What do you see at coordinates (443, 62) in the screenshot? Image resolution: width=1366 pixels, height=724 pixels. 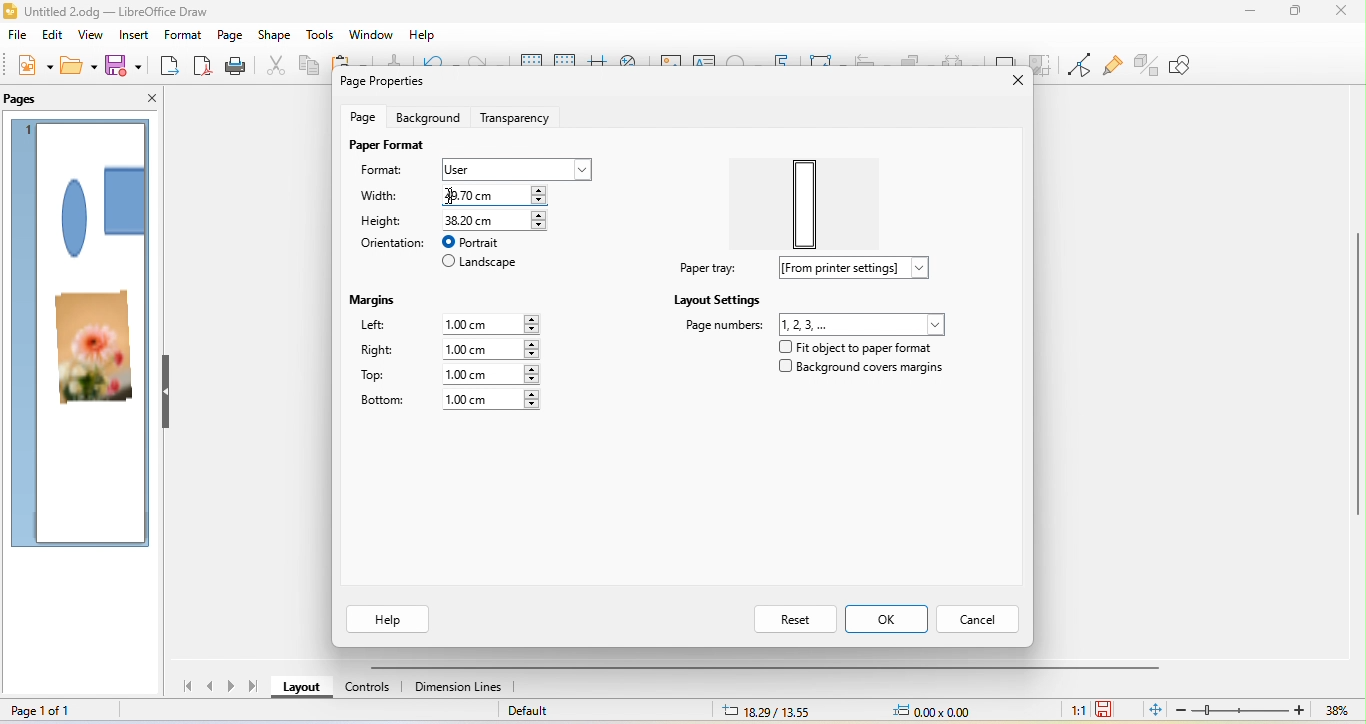 I see `undo` at bounding box center [443, 62].